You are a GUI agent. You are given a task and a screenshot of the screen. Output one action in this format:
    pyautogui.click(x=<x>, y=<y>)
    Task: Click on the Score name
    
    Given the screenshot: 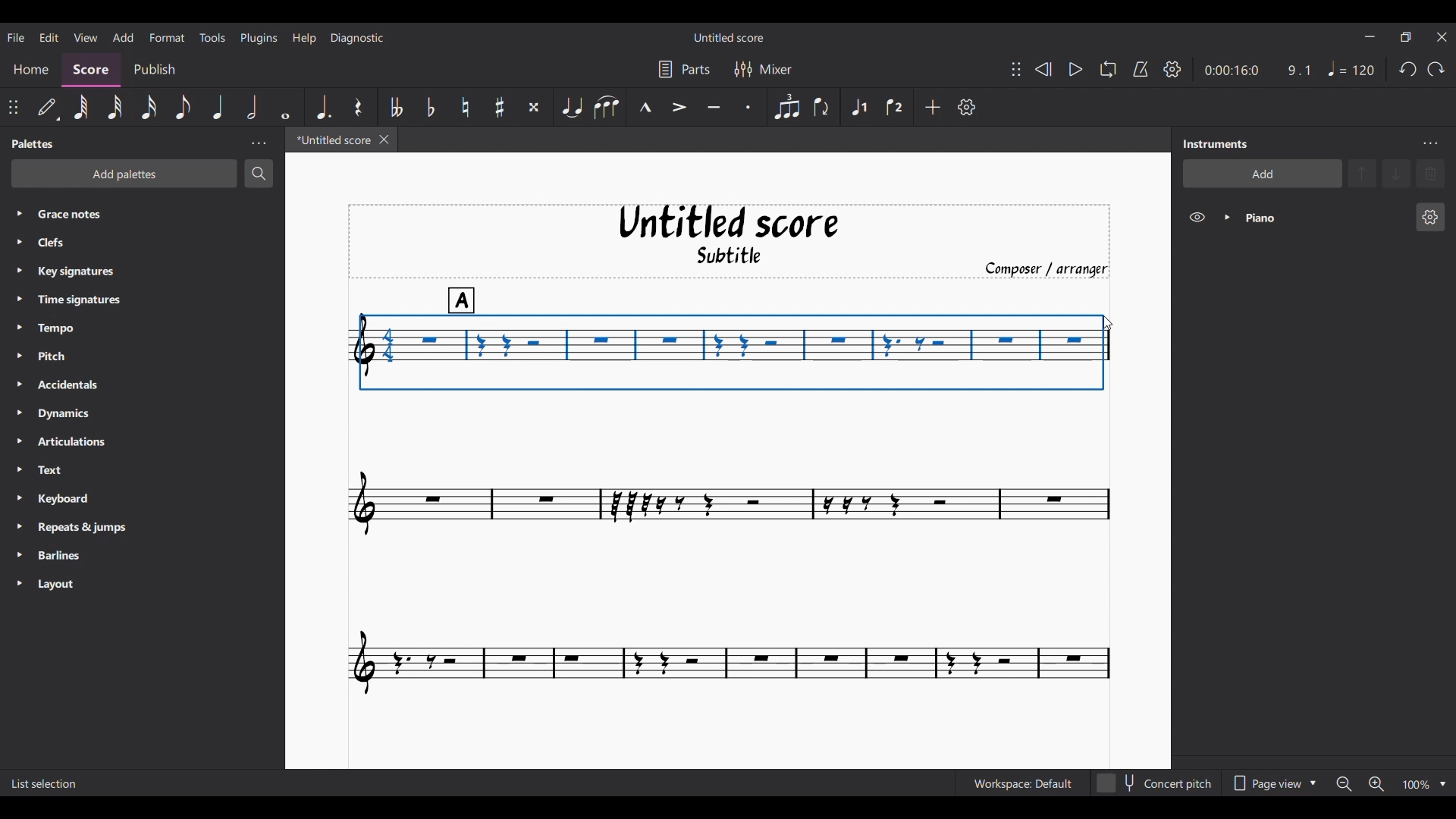 What is the action you would take?
    pyautogui.click(x=728, y=37)
    